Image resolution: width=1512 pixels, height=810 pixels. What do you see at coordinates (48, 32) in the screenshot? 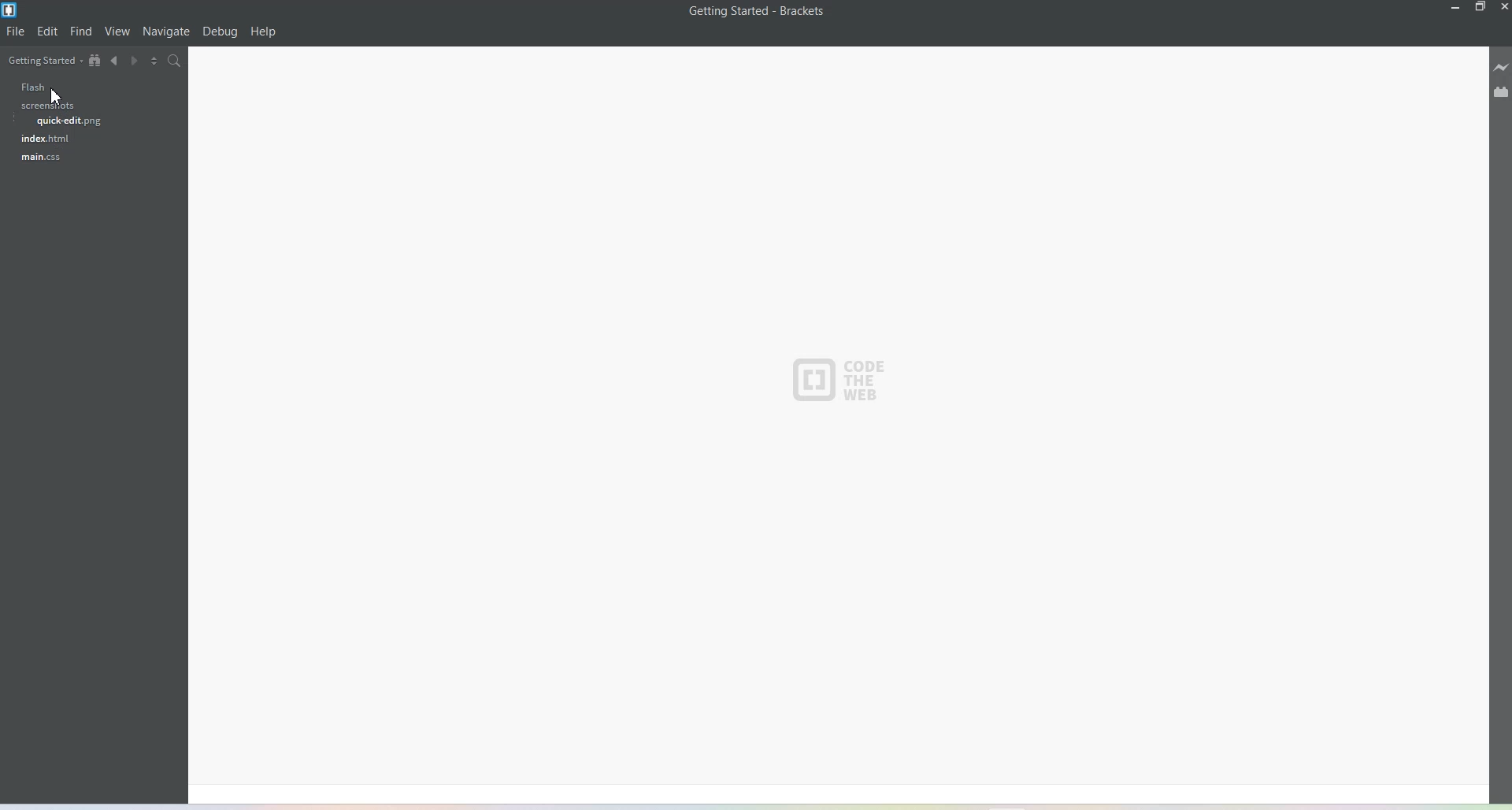
I see `Edit` at bounding box center [48, 32].